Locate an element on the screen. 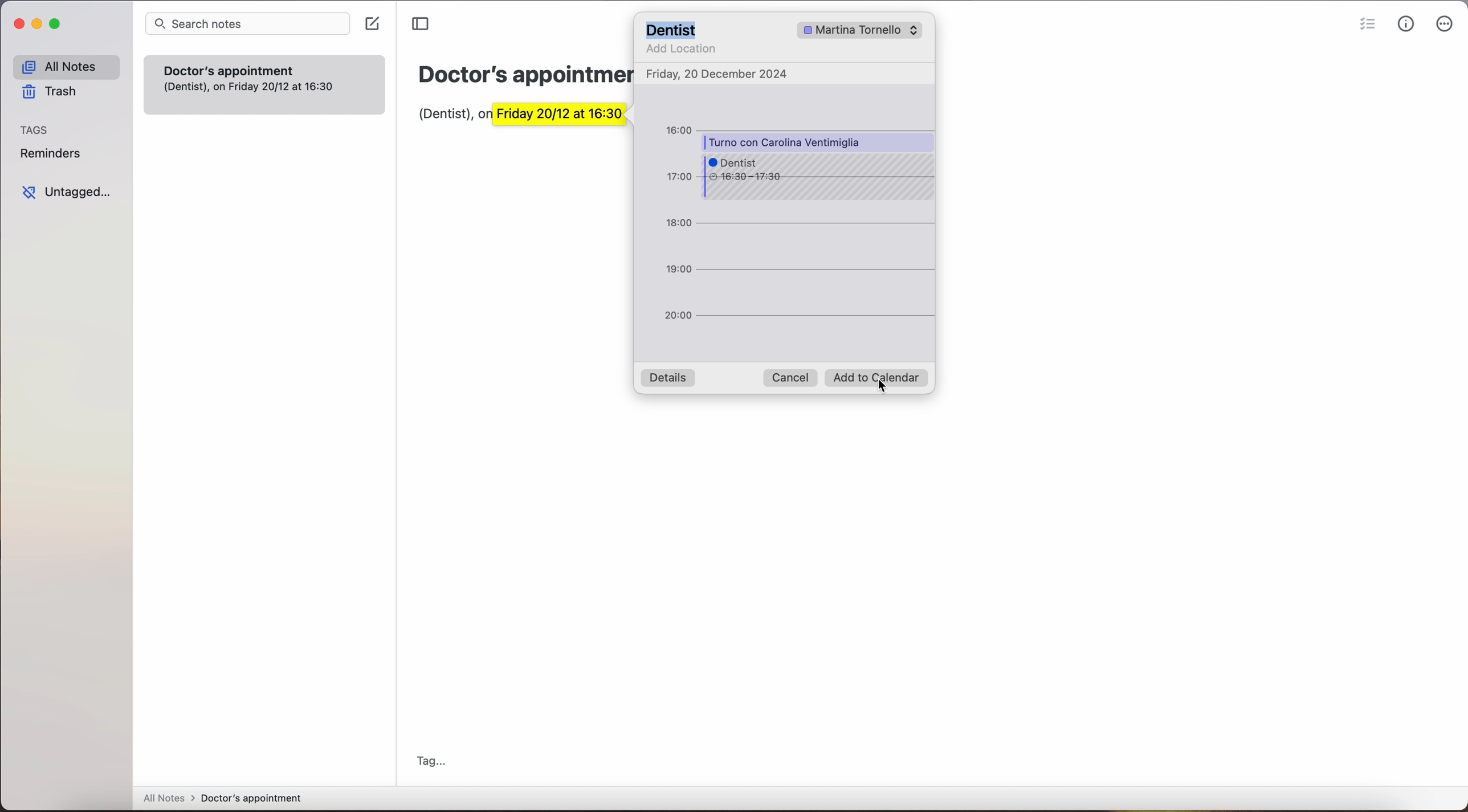 This screenshot has width=1468, height=812. Martina Toenello is located at coordinates (871, 30).